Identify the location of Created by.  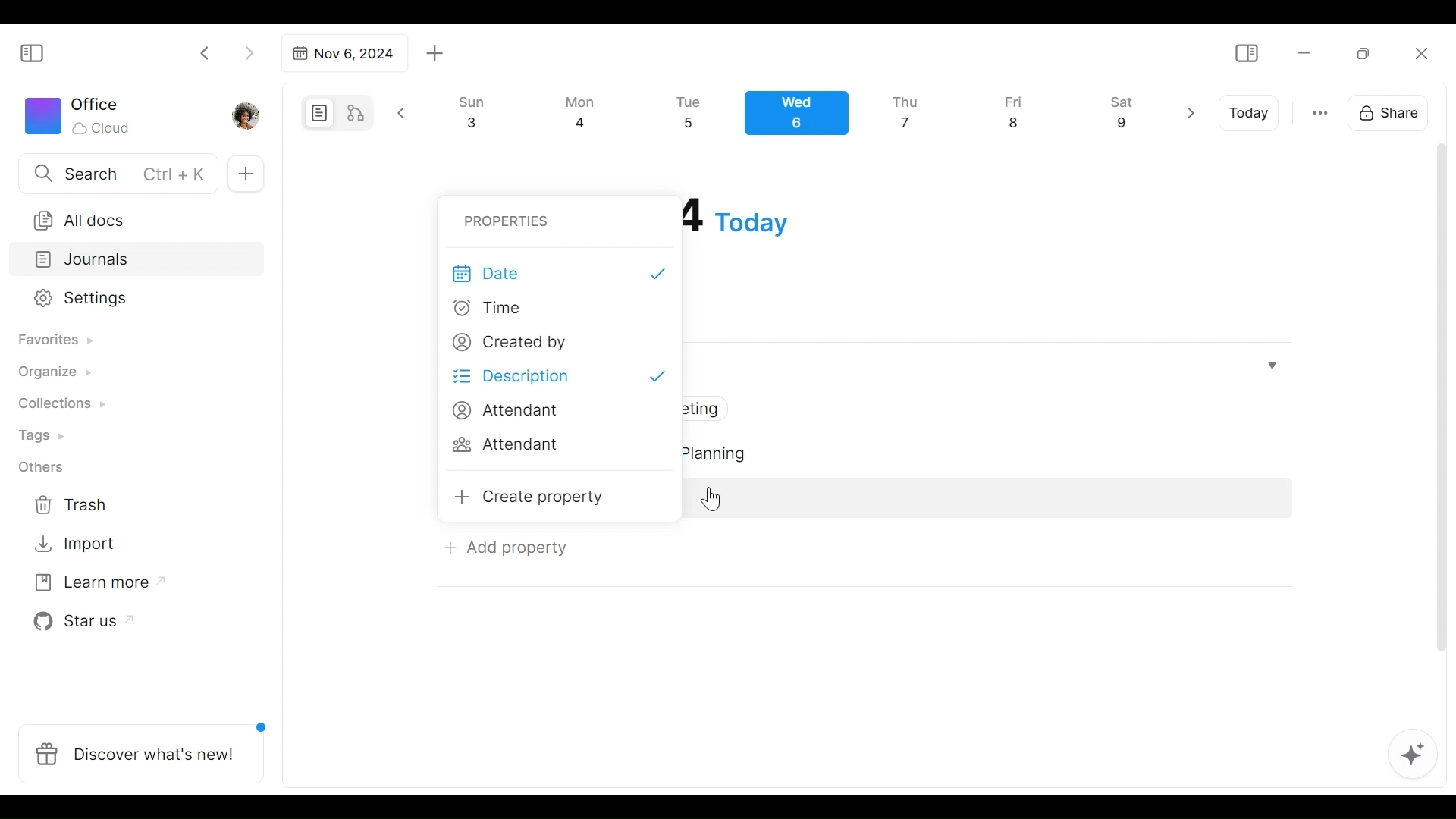
(511, 340).